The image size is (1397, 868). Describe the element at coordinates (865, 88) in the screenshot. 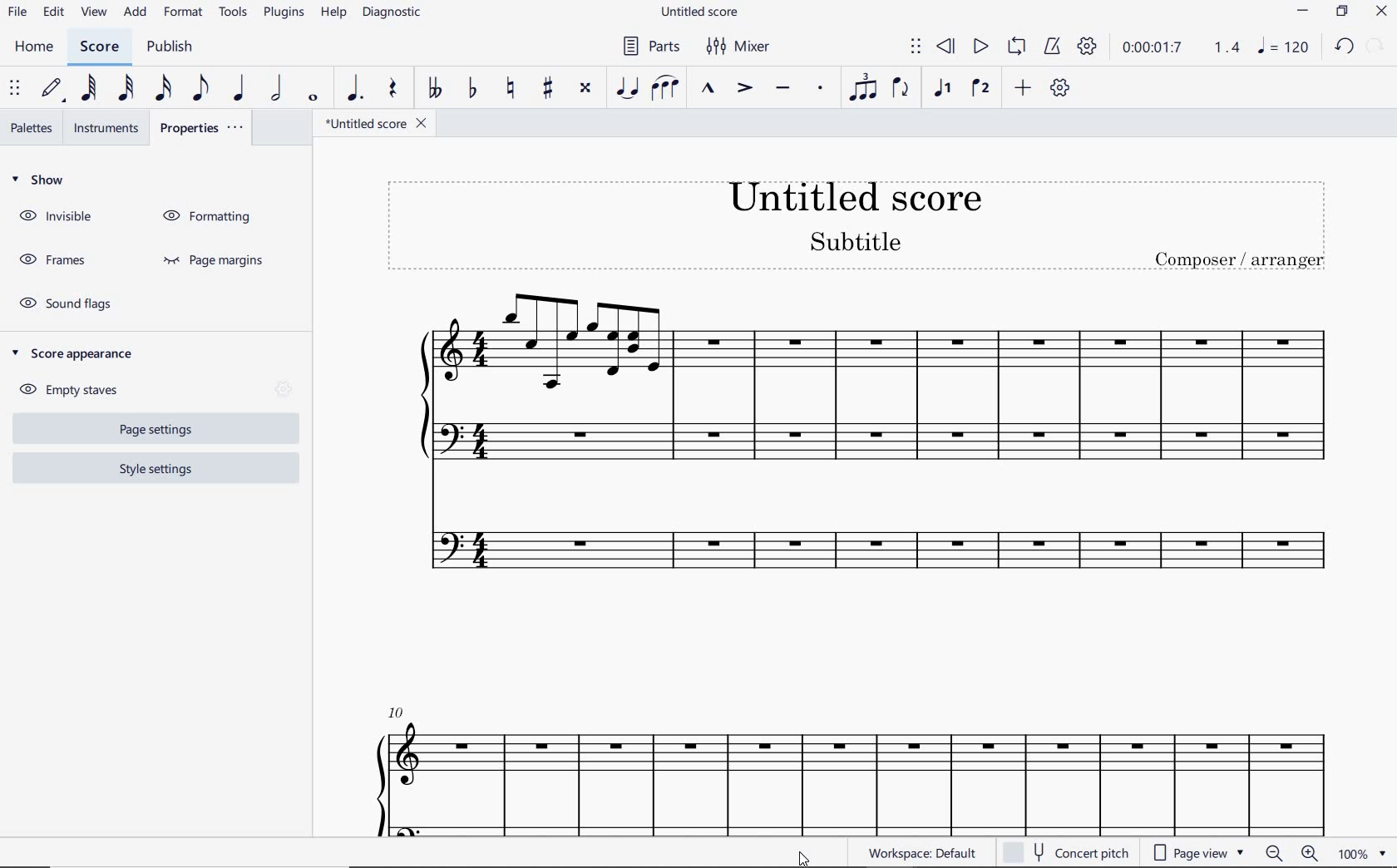

I see `TUPLET` at that location.